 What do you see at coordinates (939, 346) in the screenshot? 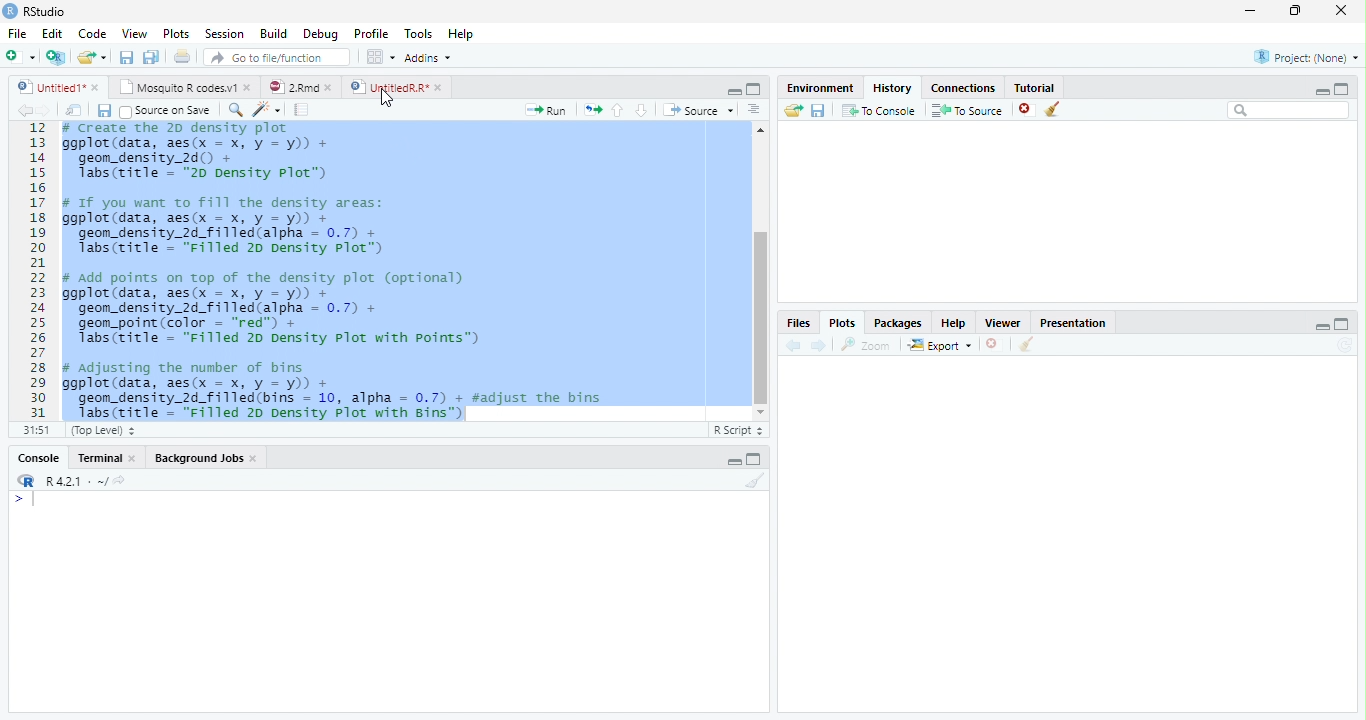
I see `export` at bounding box center [939, 346].